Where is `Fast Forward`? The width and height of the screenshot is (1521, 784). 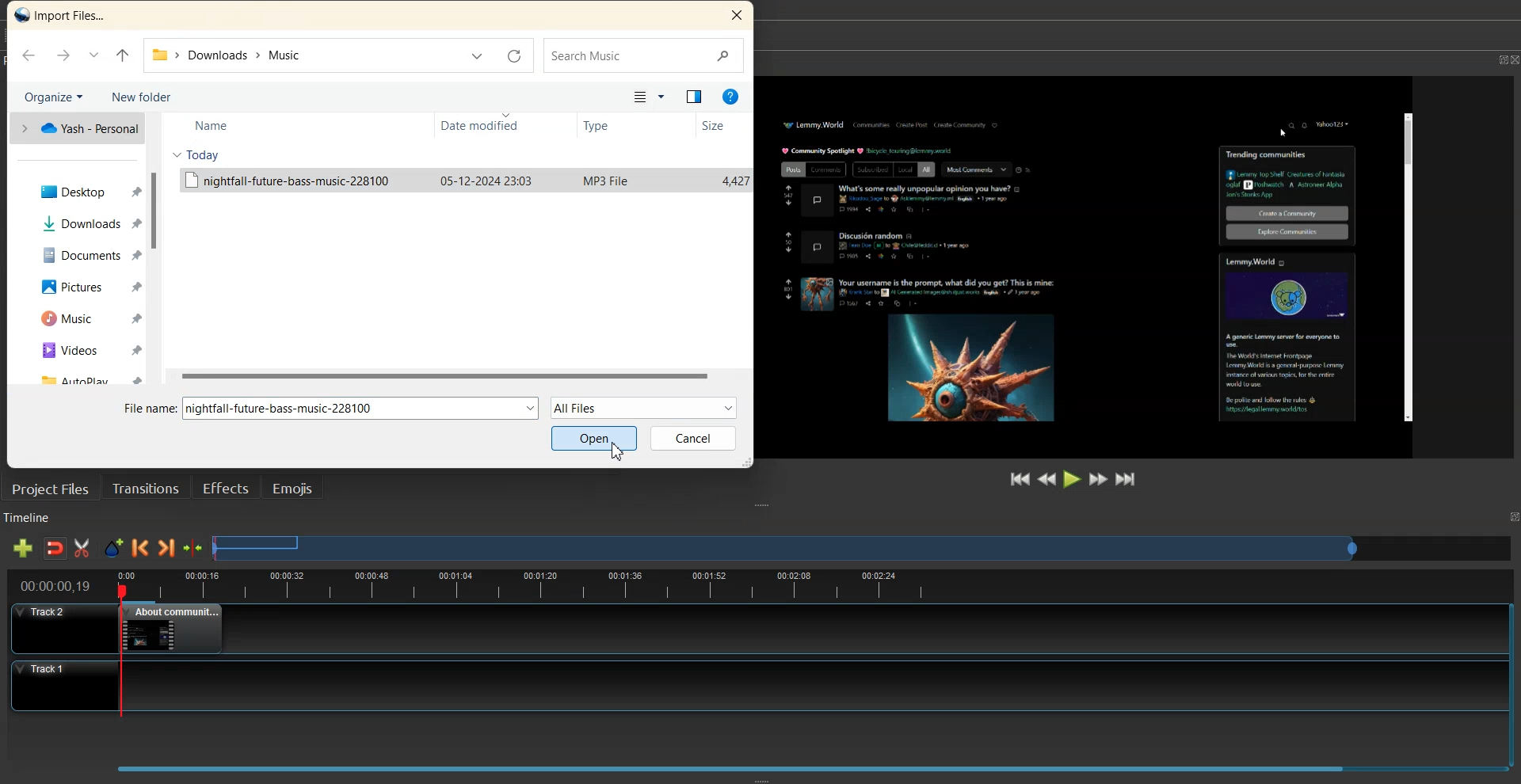
Fast Forward is located at coordinates (1099, 478).